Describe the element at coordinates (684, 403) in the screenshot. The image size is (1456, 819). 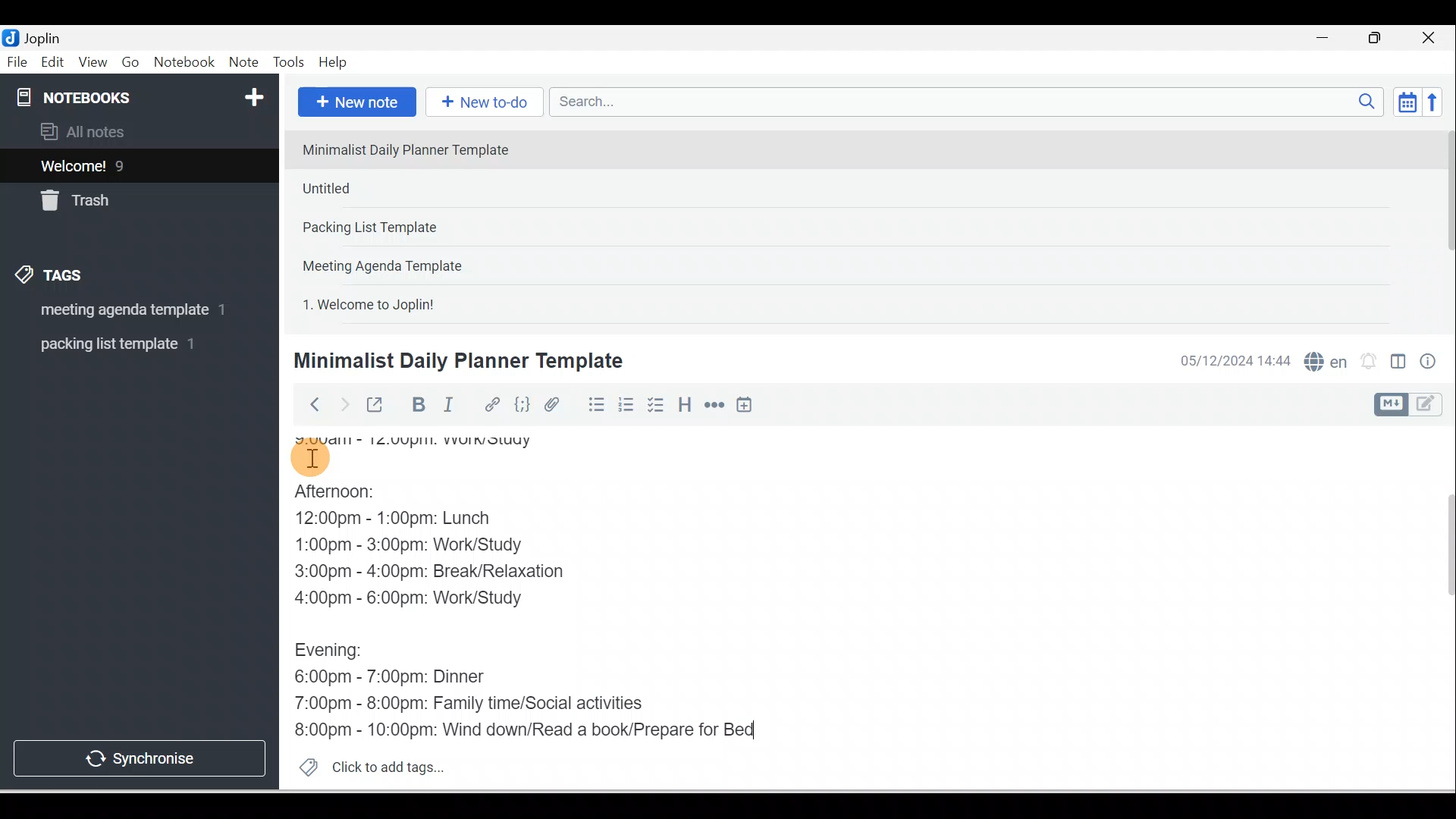
I see `Heading` at that location.